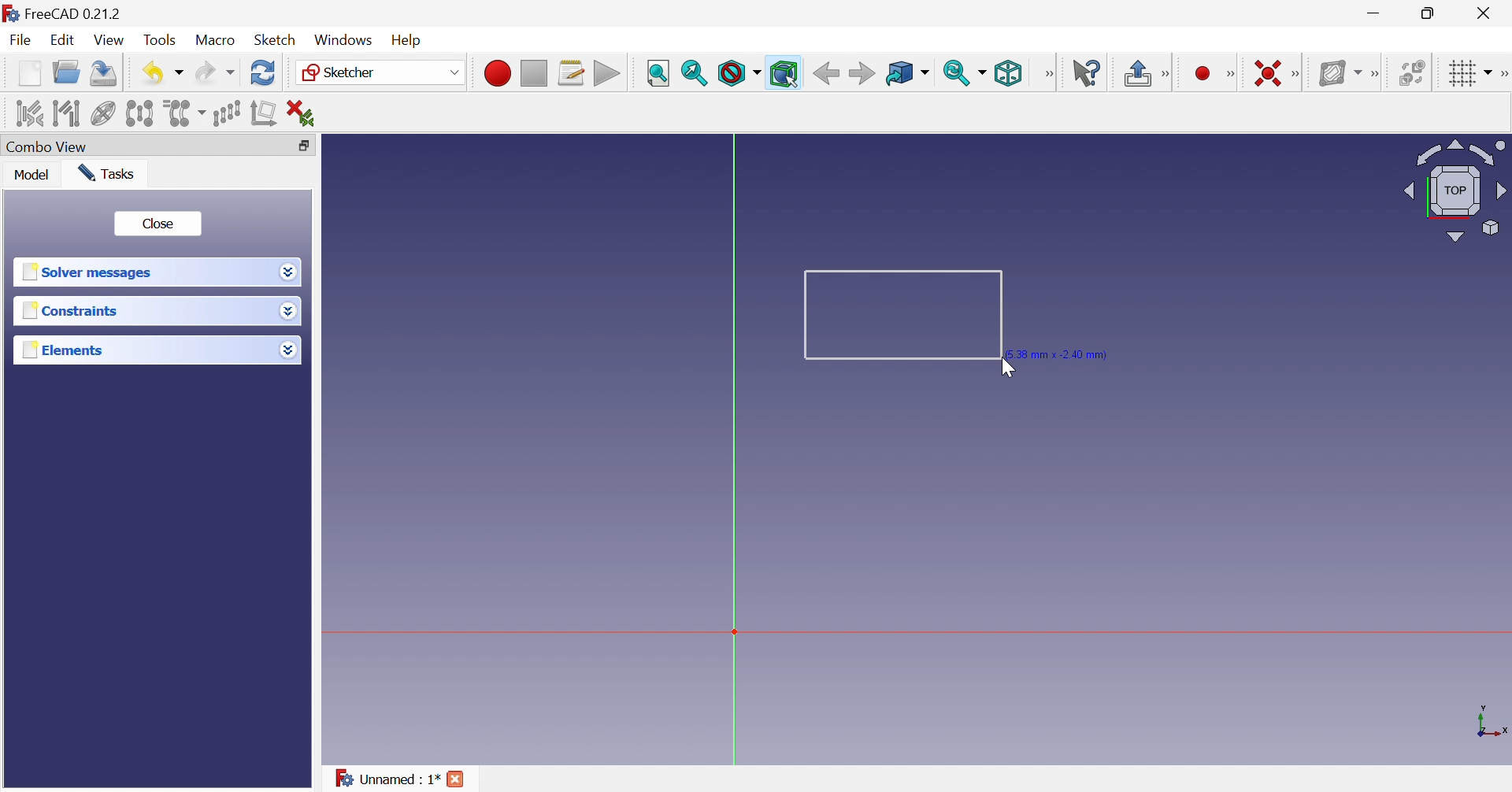  I want to click on Back, so click(826, 74).